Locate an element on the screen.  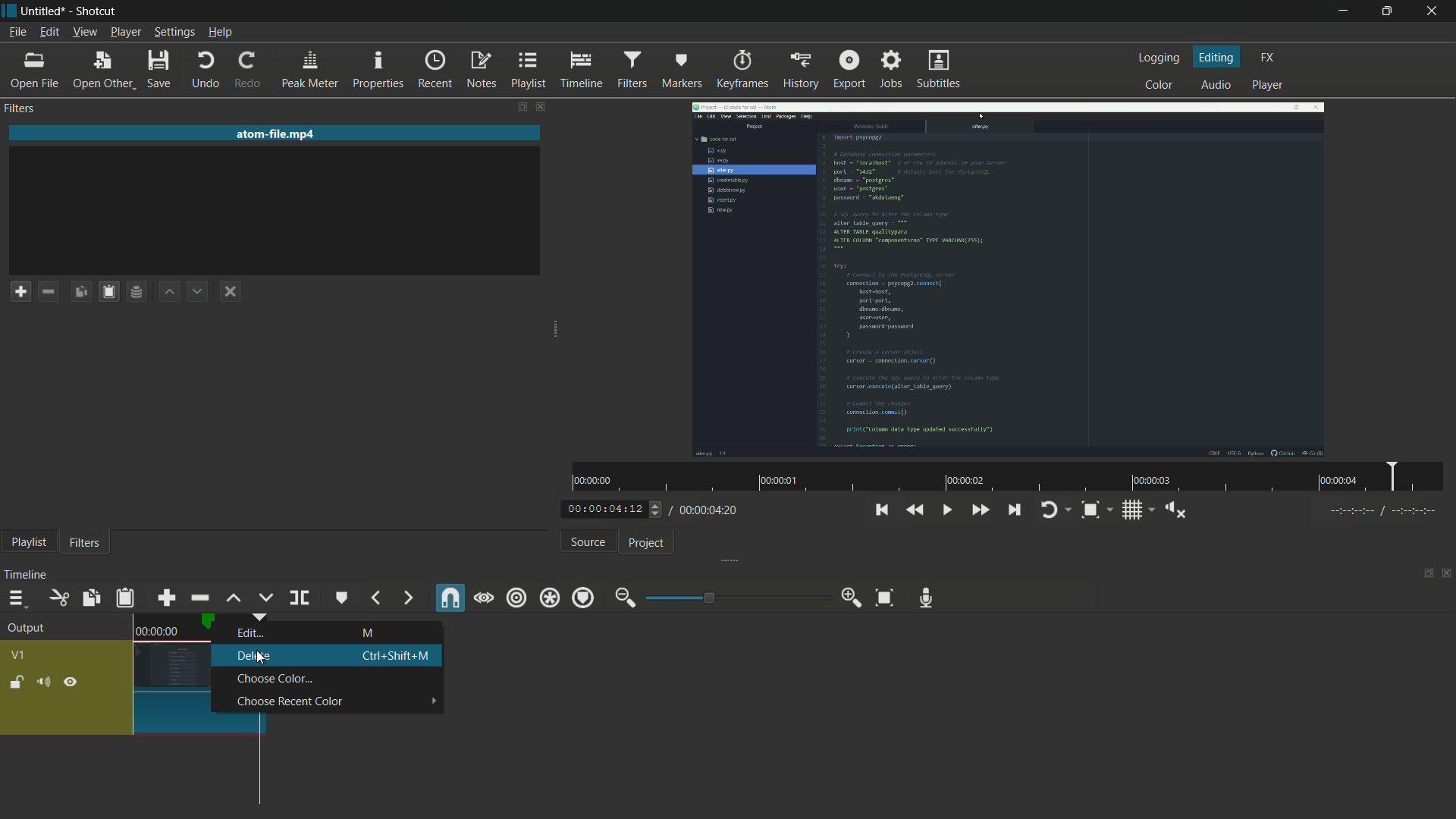
split at playhead is located at coordinates (301, 597).